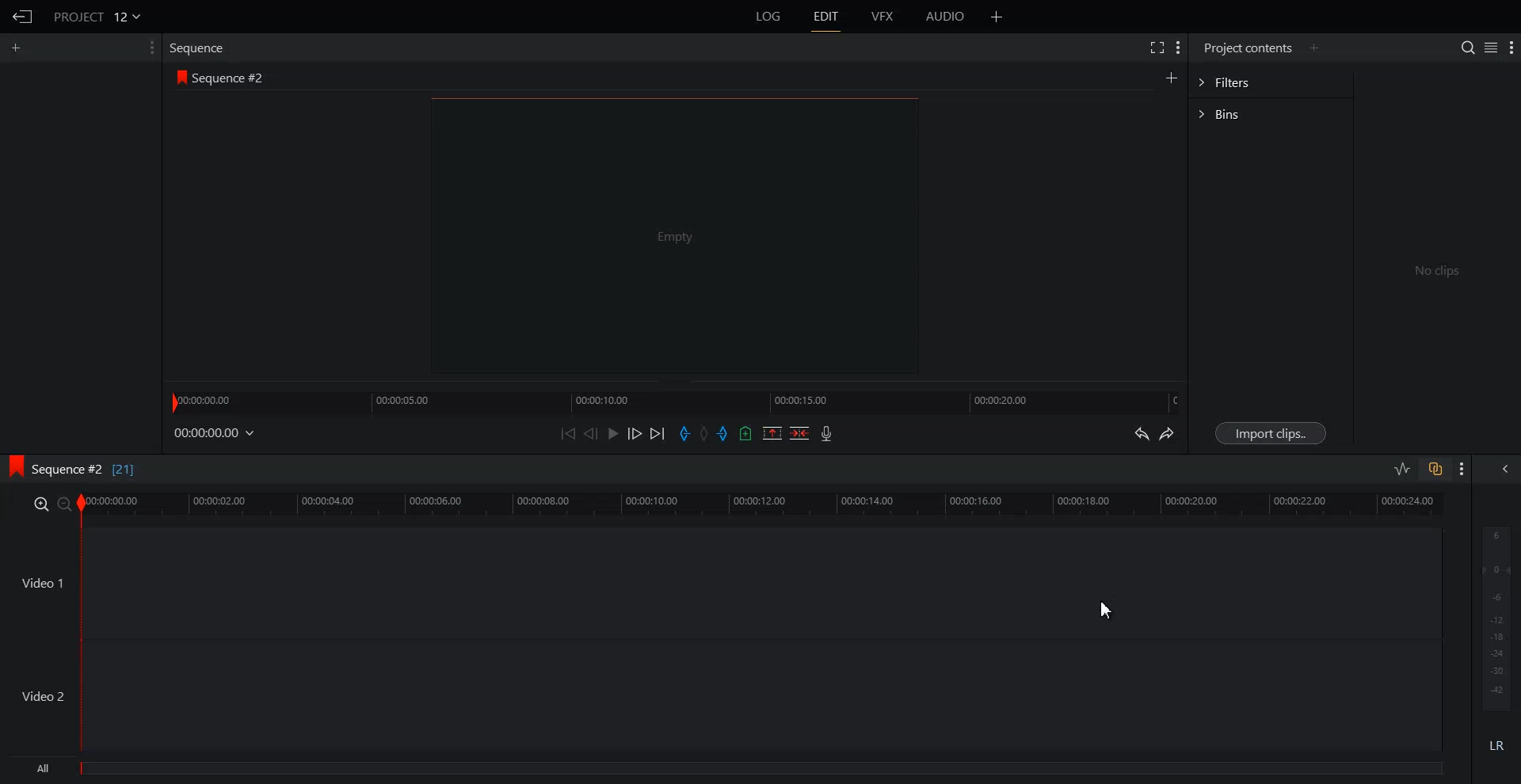  What do you see at coordinates (703, 433) in the screenshot?
I see `Clear All Marks` at bounding box center [703, 433].